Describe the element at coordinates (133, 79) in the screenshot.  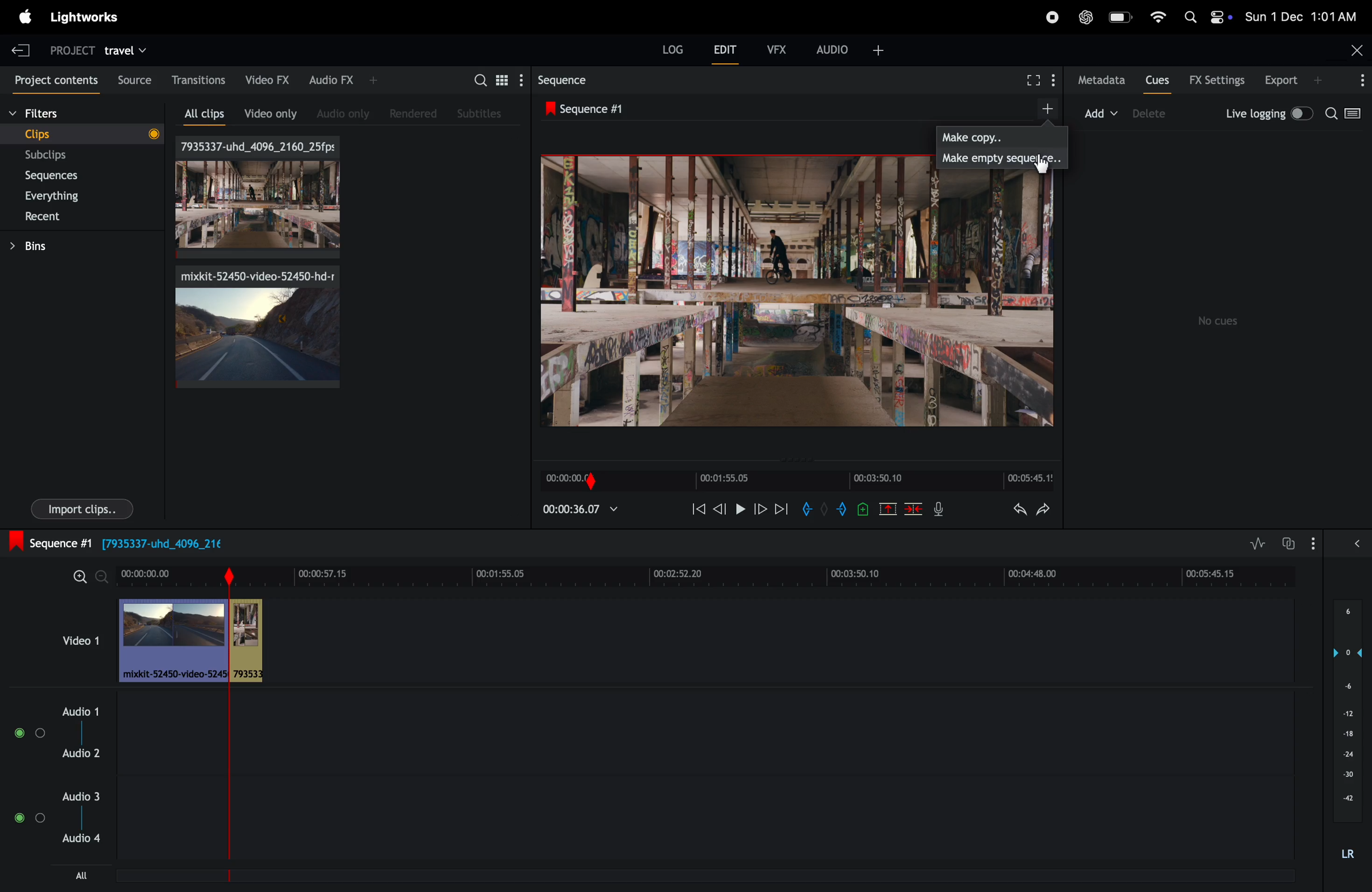
I see `source` at that location.